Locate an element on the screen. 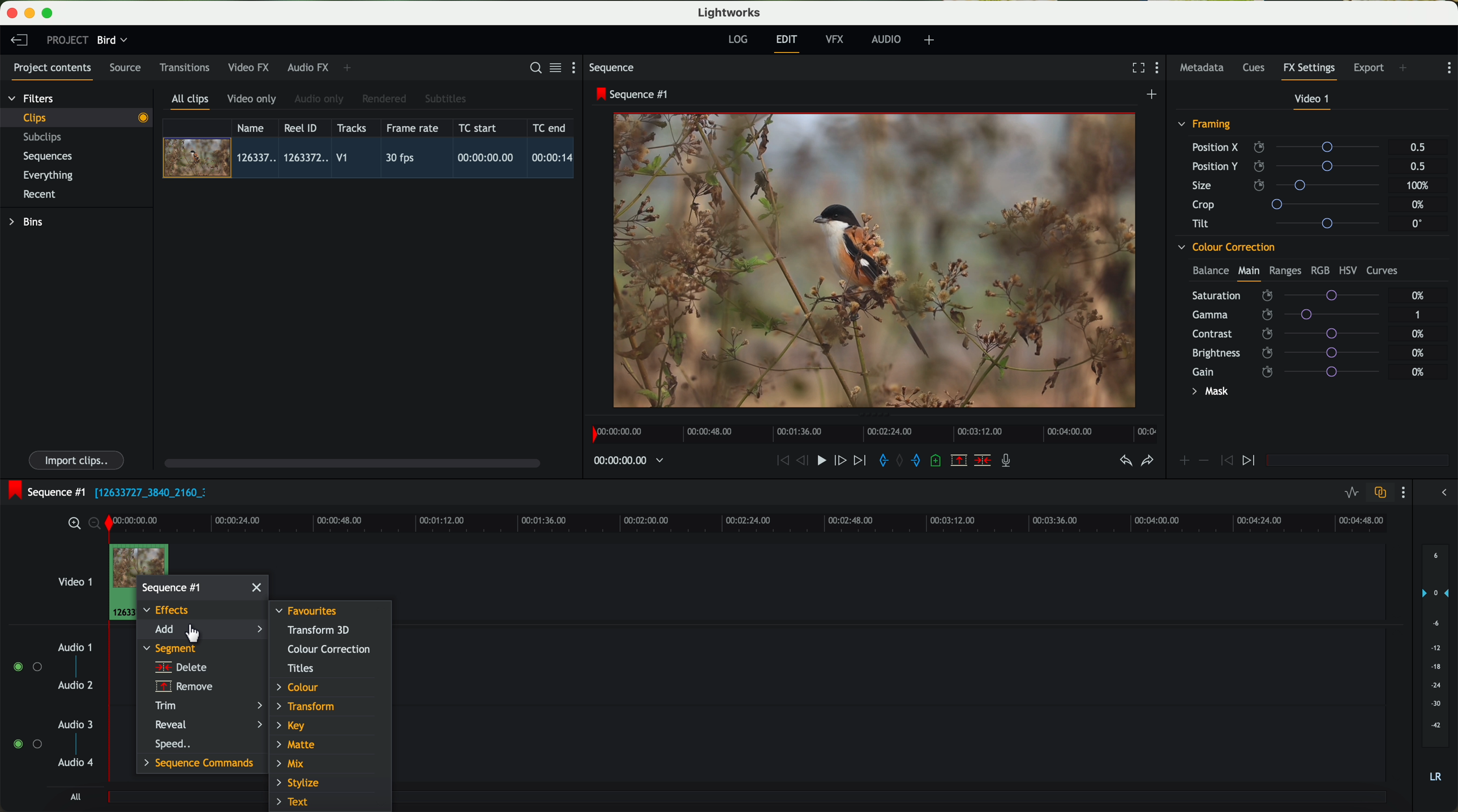 The width and height of the screenshot is (1458, 812). scroll bar is located at coordinates (351, 462).